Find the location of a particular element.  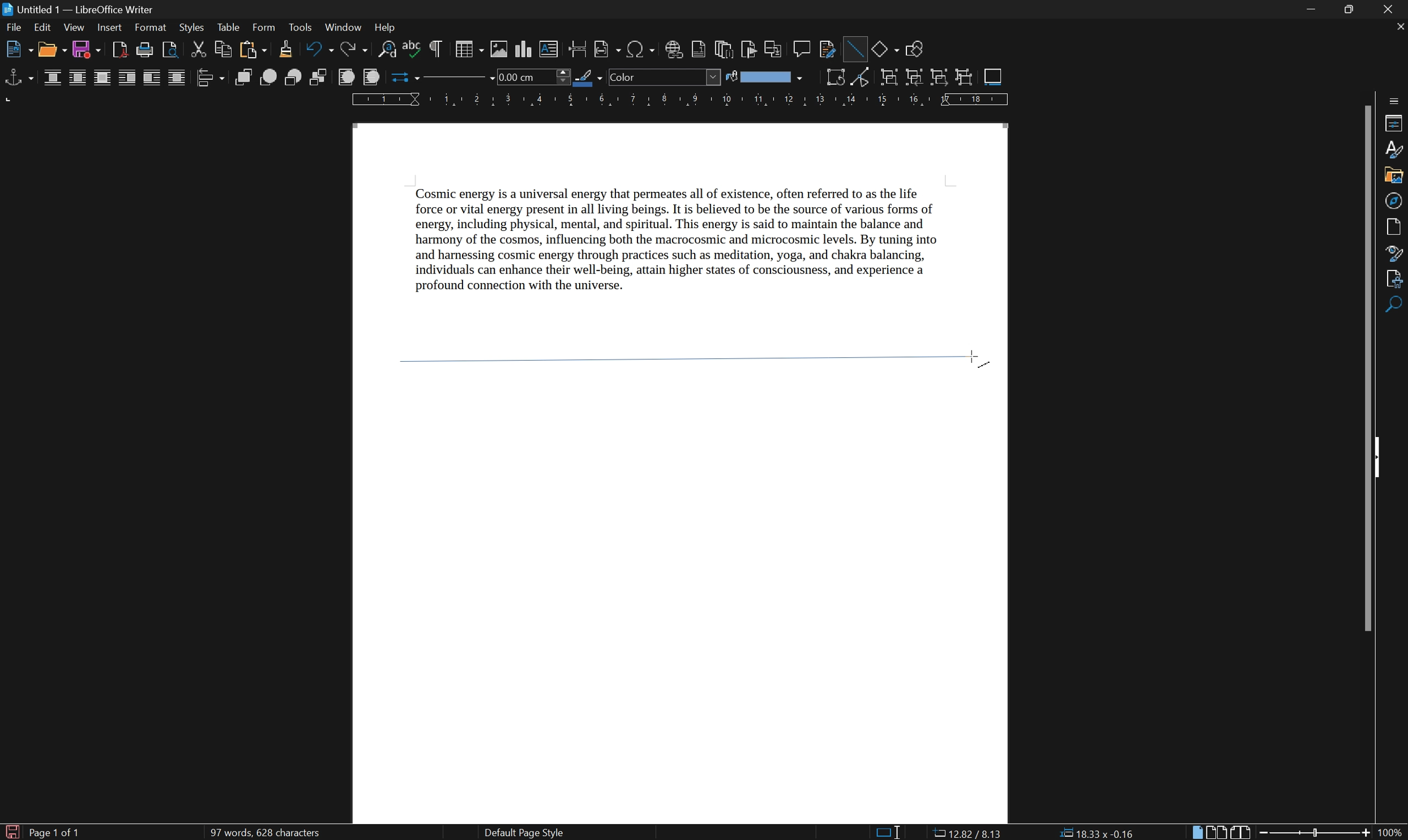

English (India) is located at coordinates (739, 833).